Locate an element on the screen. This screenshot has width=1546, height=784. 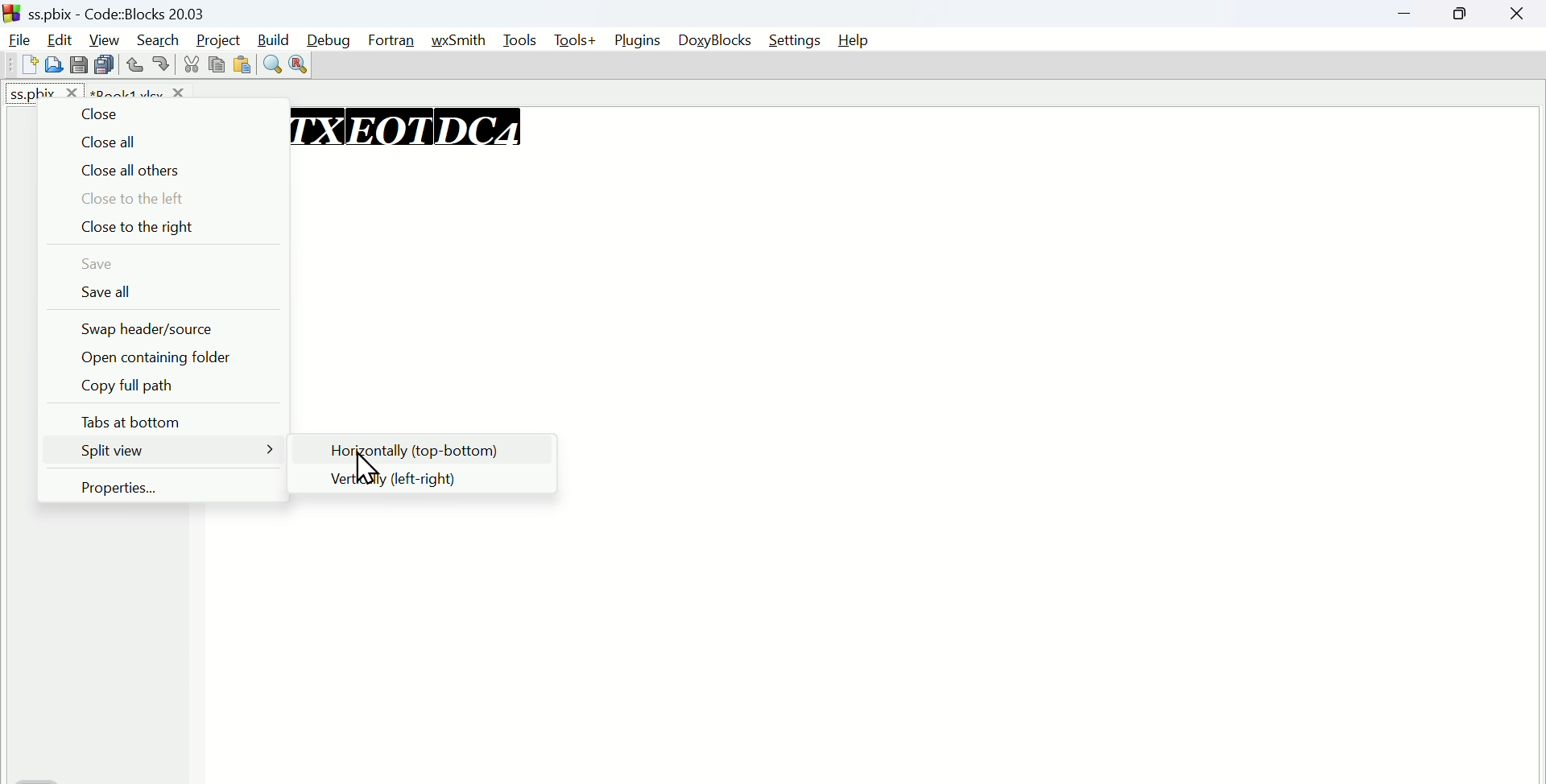
Open containing folder is located at coordinates (155, 357).